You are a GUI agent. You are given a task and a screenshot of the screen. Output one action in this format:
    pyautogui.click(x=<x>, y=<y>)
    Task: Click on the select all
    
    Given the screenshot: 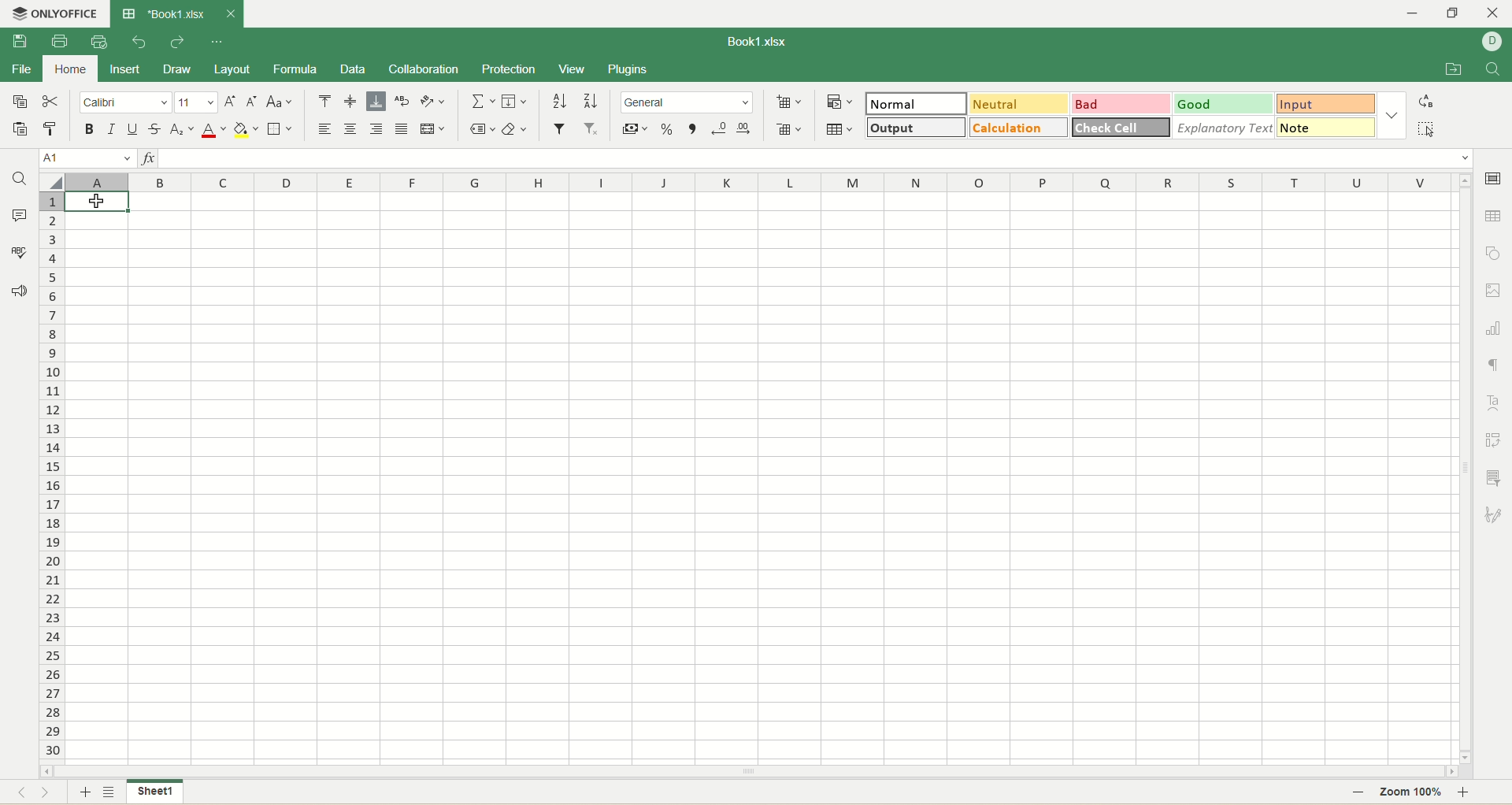 What is the action you would take?
    pyautogui.click(x=53, y=180)
    